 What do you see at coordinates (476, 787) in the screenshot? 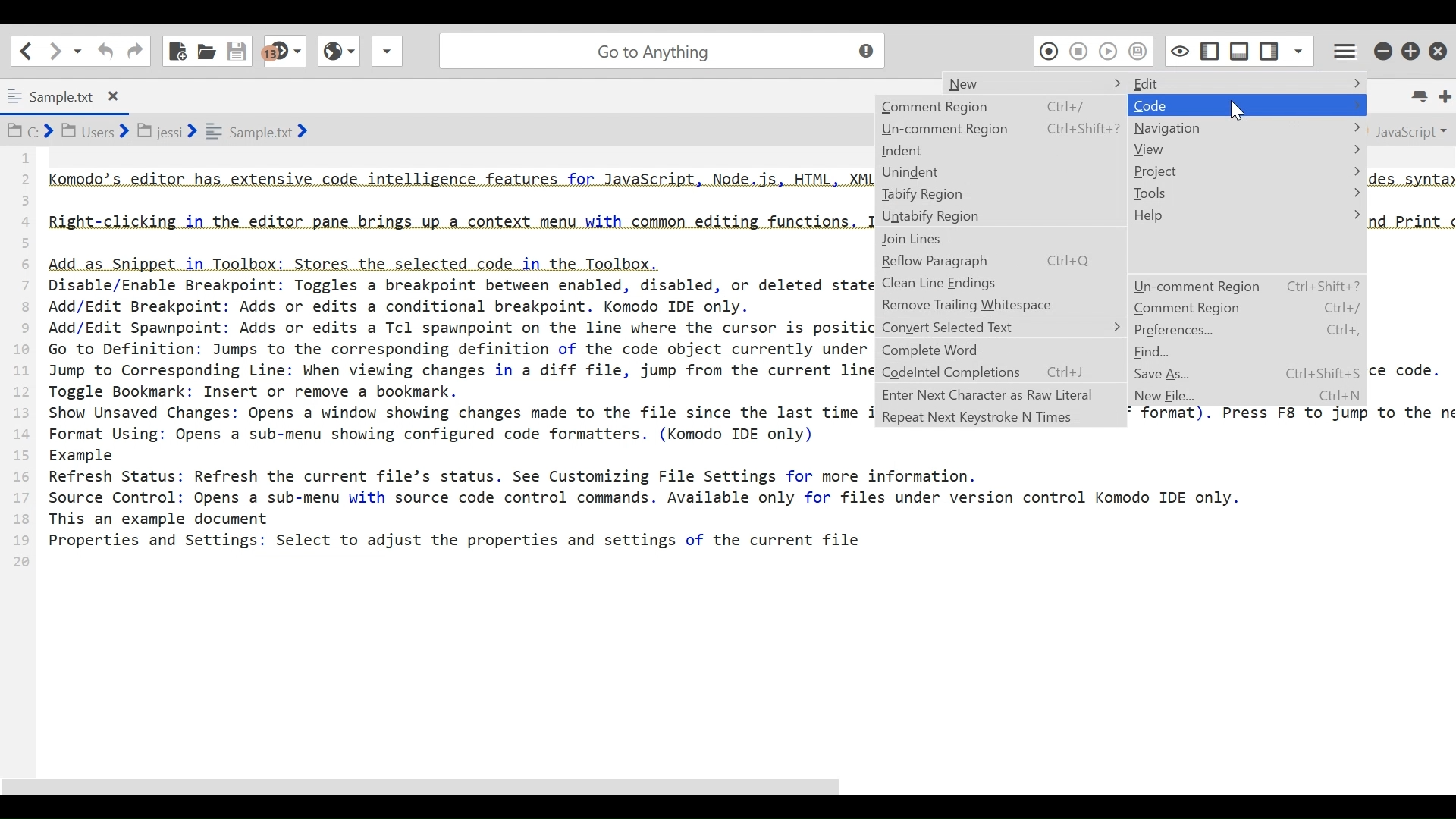
I see `scroll bar` at bounding box center [476, 787].